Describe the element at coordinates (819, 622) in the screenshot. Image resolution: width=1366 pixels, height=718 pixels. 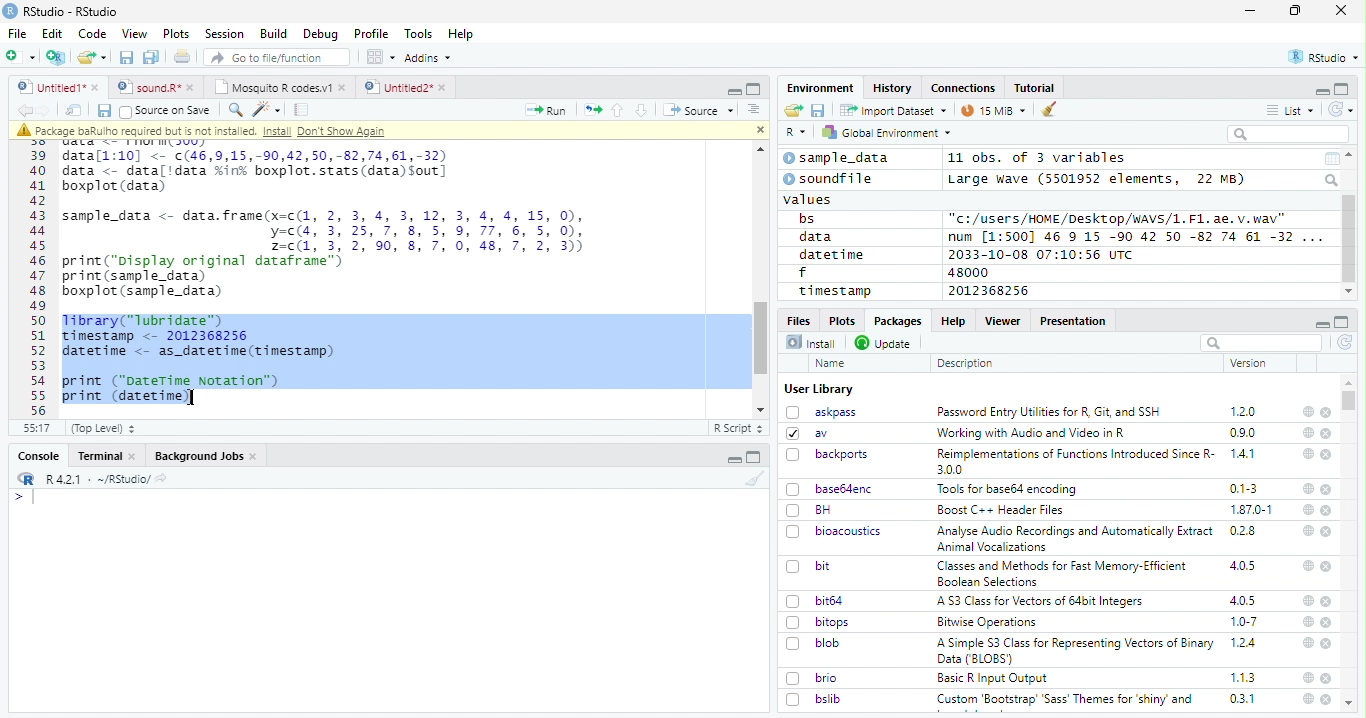
I see `bitops` at that location.